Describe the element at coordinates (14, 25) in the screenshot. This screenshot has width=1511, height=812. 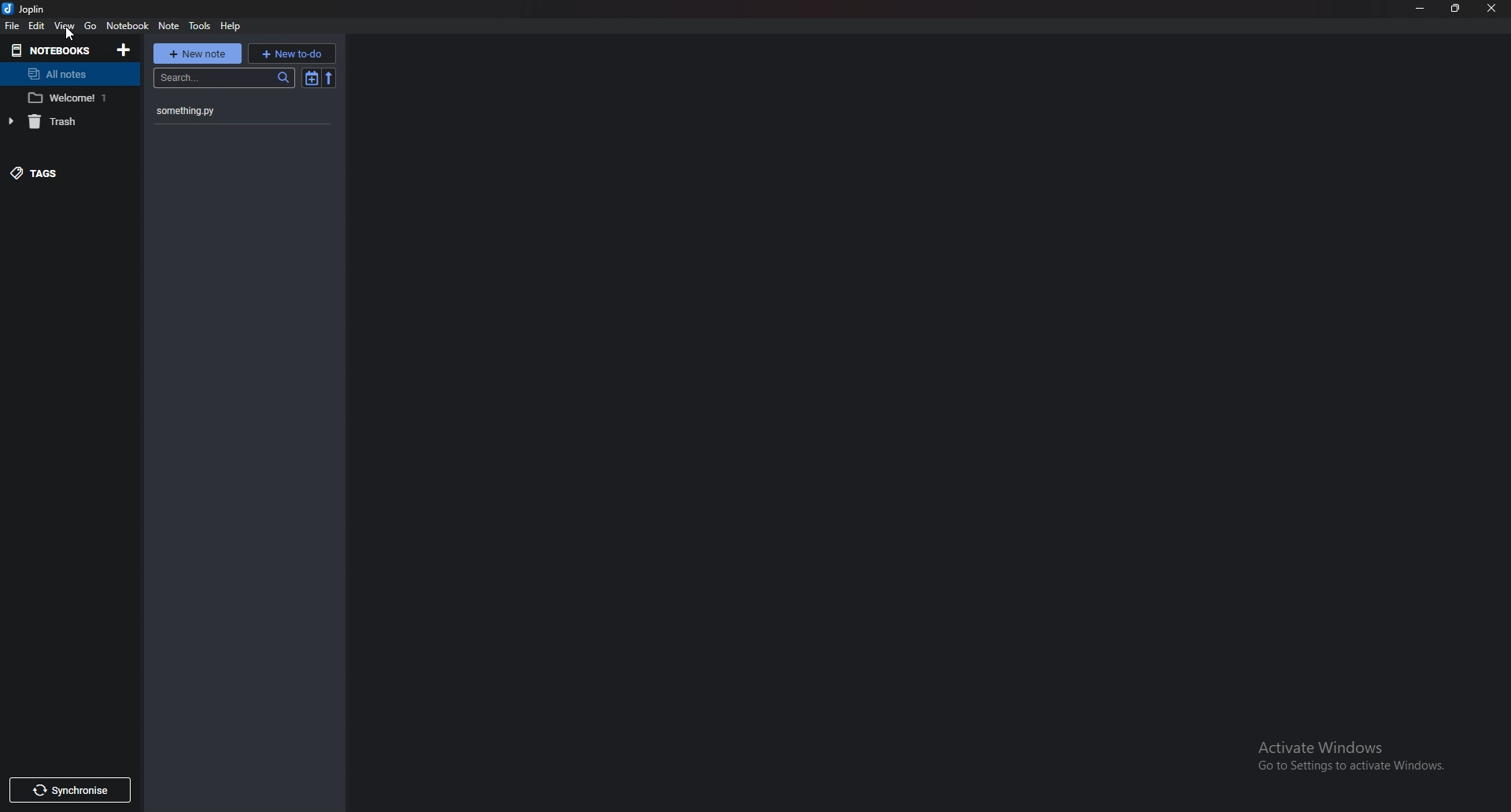
I see `File` at that location.